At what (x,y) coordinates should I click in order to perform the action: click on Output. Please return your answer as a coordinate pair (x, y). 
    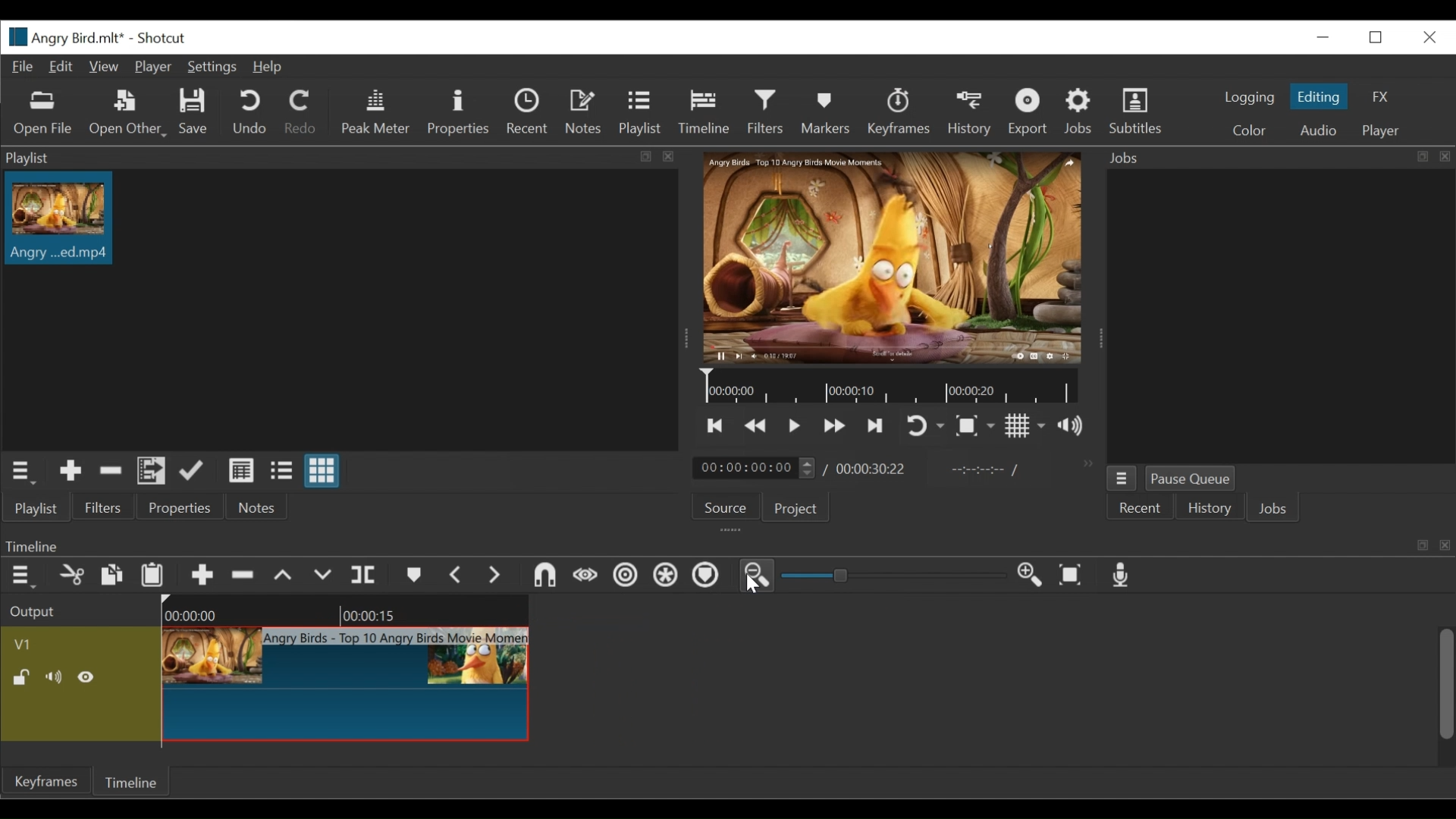
    Looking at the image, I should click on (36, 610).